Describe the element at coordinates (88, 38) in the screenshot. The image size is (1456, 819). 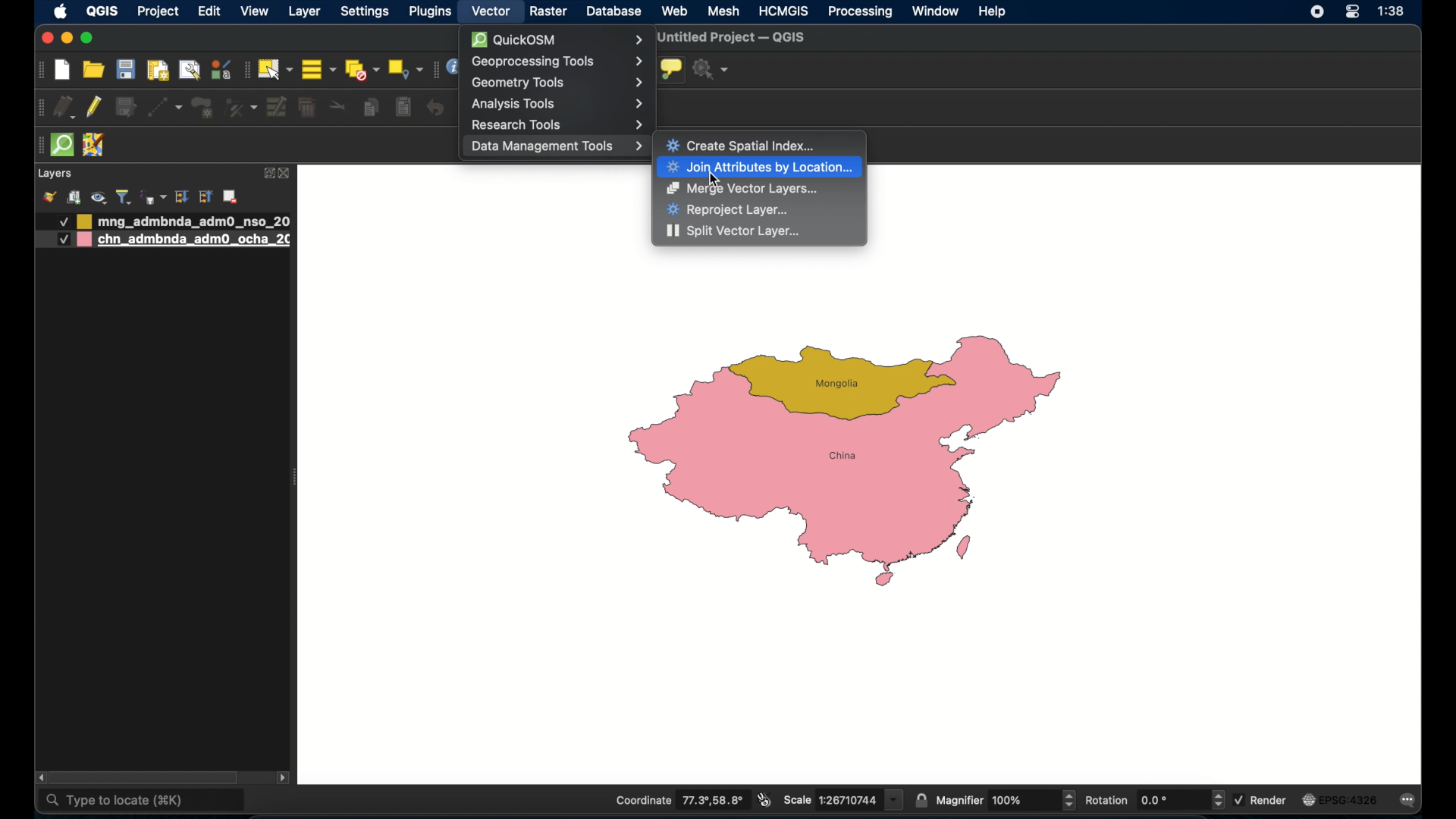
I see `maximize` at that location.